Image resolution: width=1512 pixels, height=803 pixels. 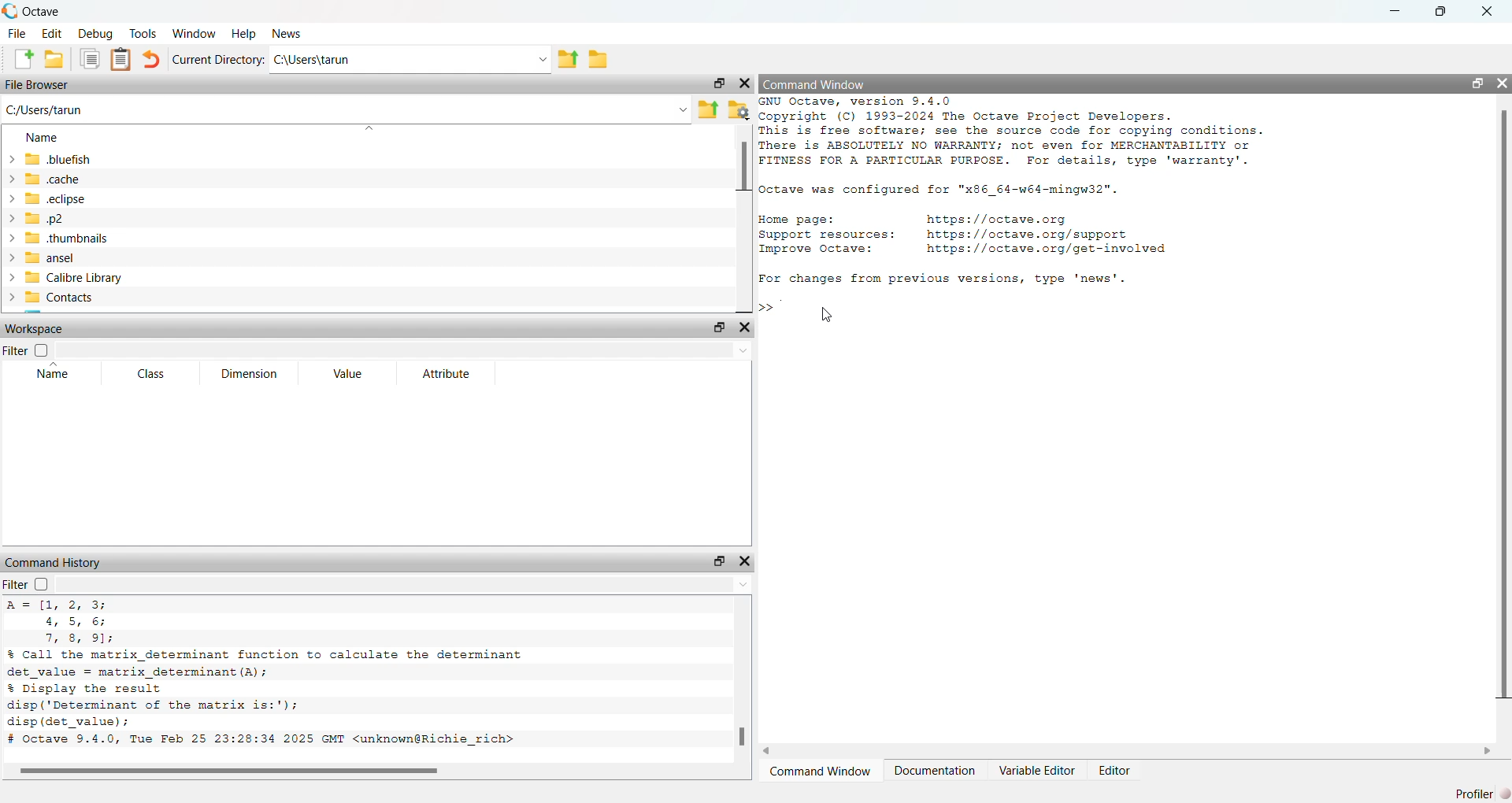 I want to click on one directory up, so click(x=568, y=58).